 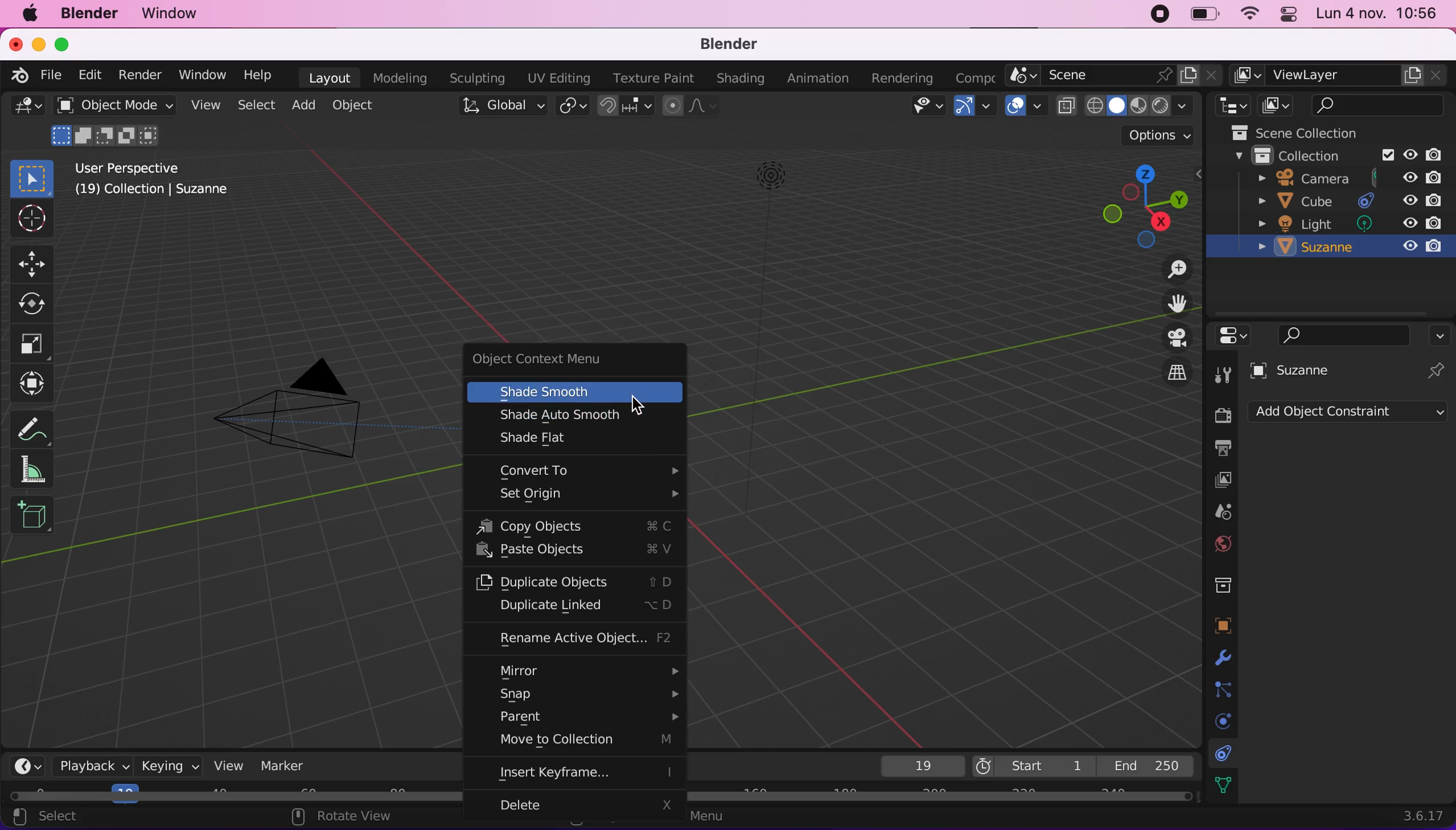 What do you see at coordinates (1160, 107) in the screenshot?
I see `rendered display` at bounding box center [1160, 107].